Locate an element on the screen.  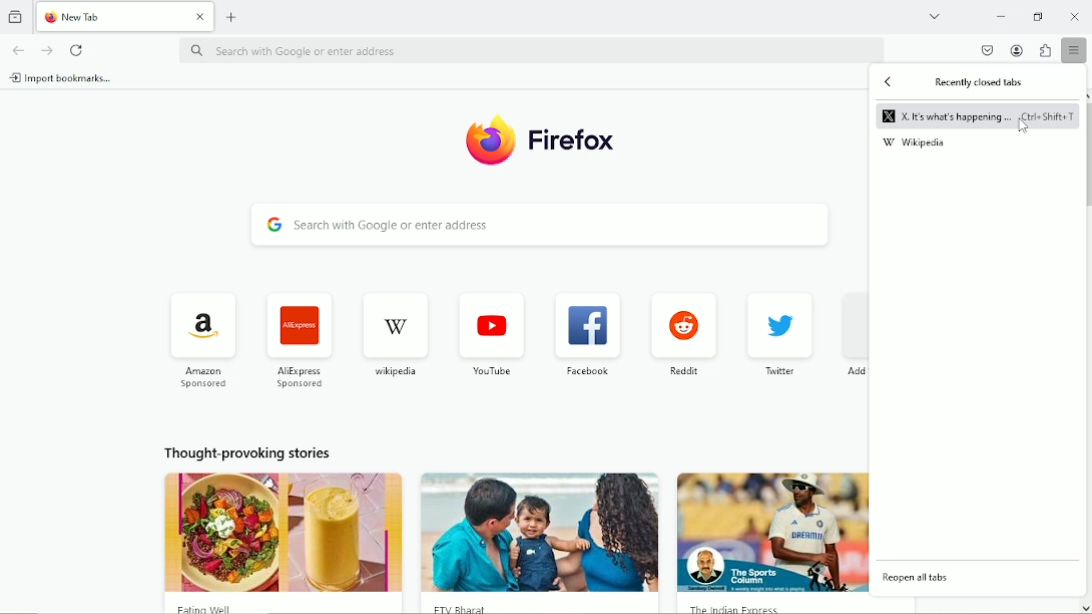
import bookmarks is located at coordinates (67, 79).